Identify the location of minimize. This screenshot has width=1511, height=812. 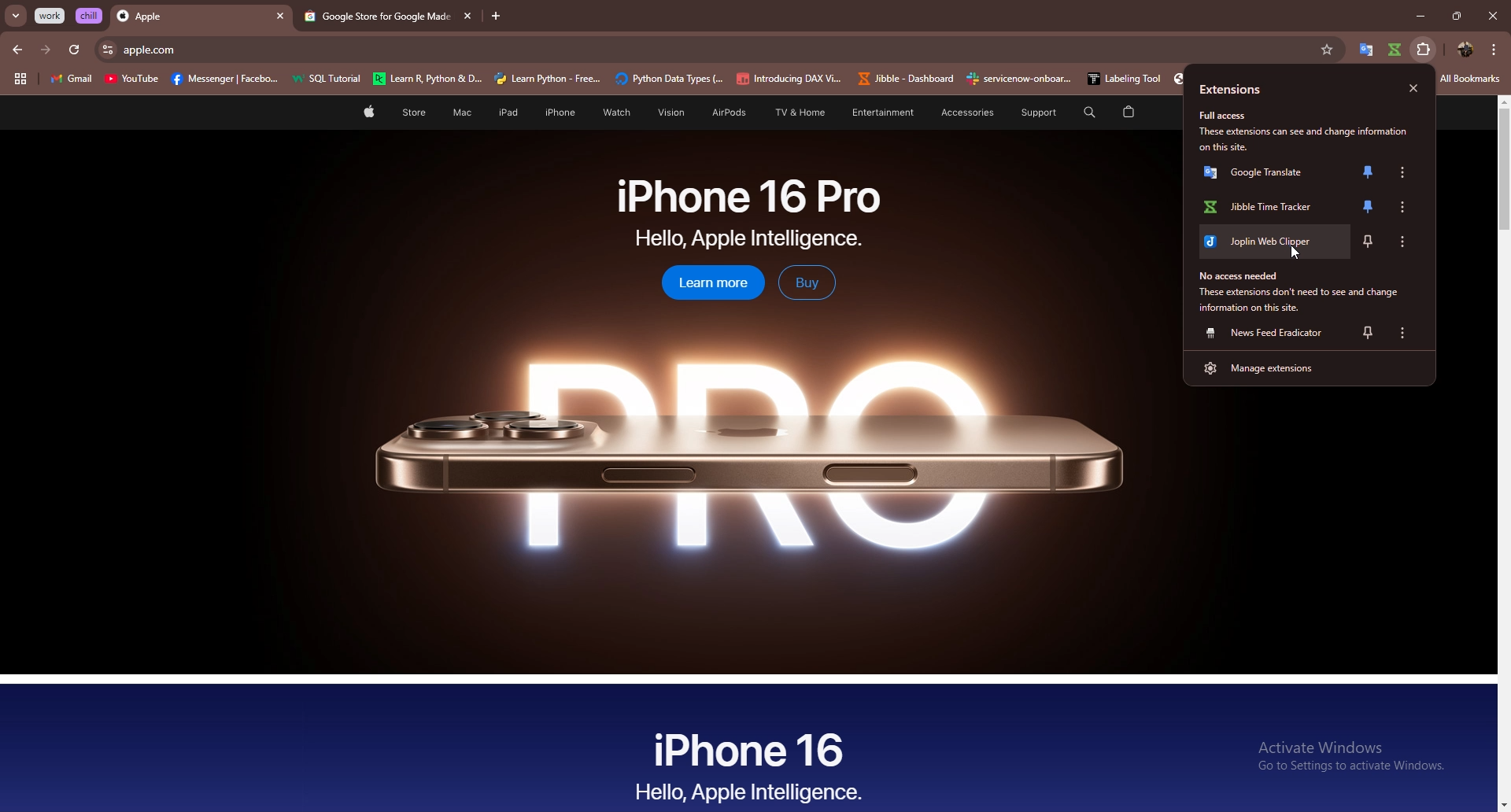
(1416, 17).